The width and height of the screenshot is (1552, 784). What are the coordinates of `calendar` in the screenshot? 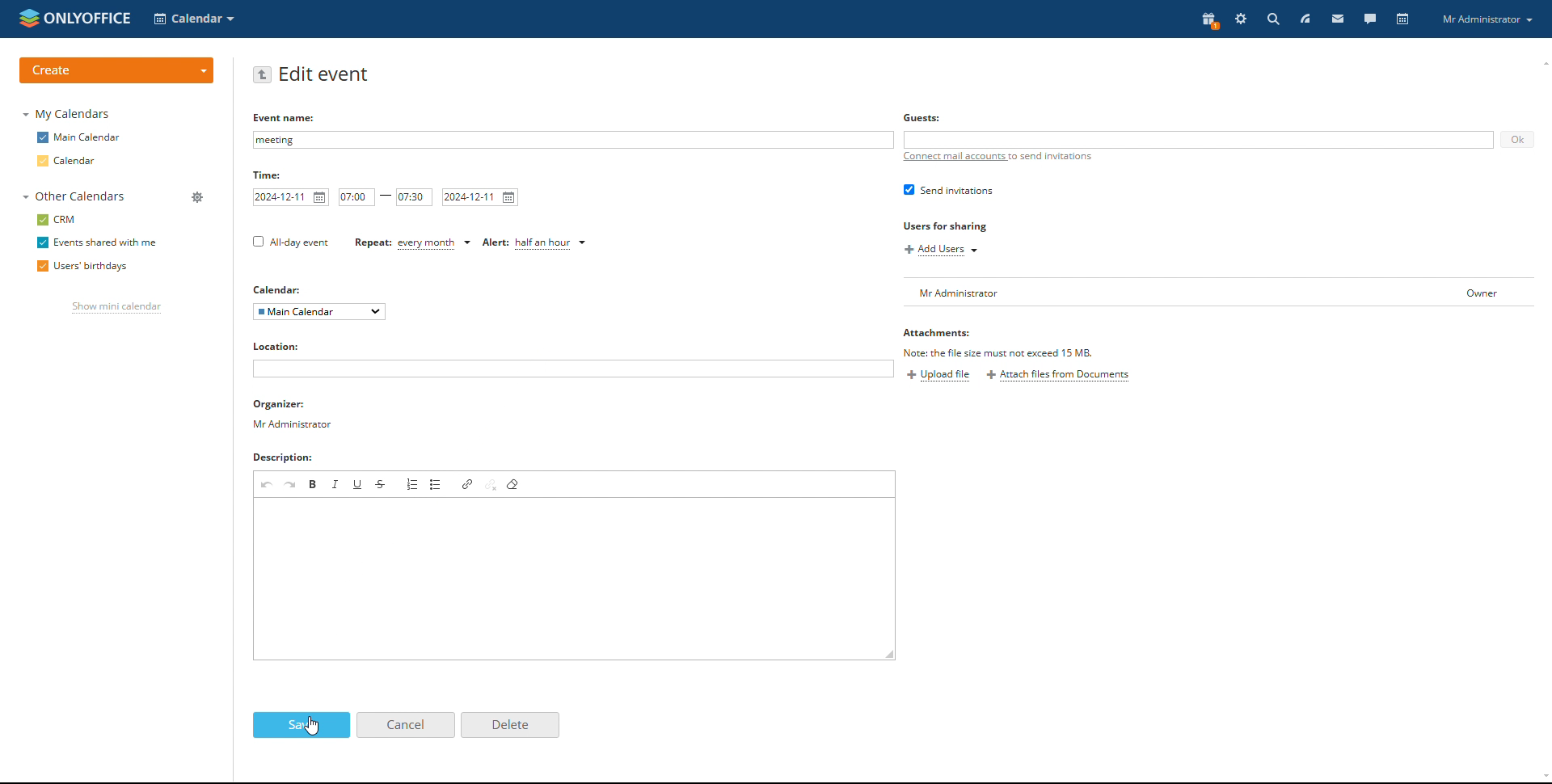 It's located at (1401, 19).